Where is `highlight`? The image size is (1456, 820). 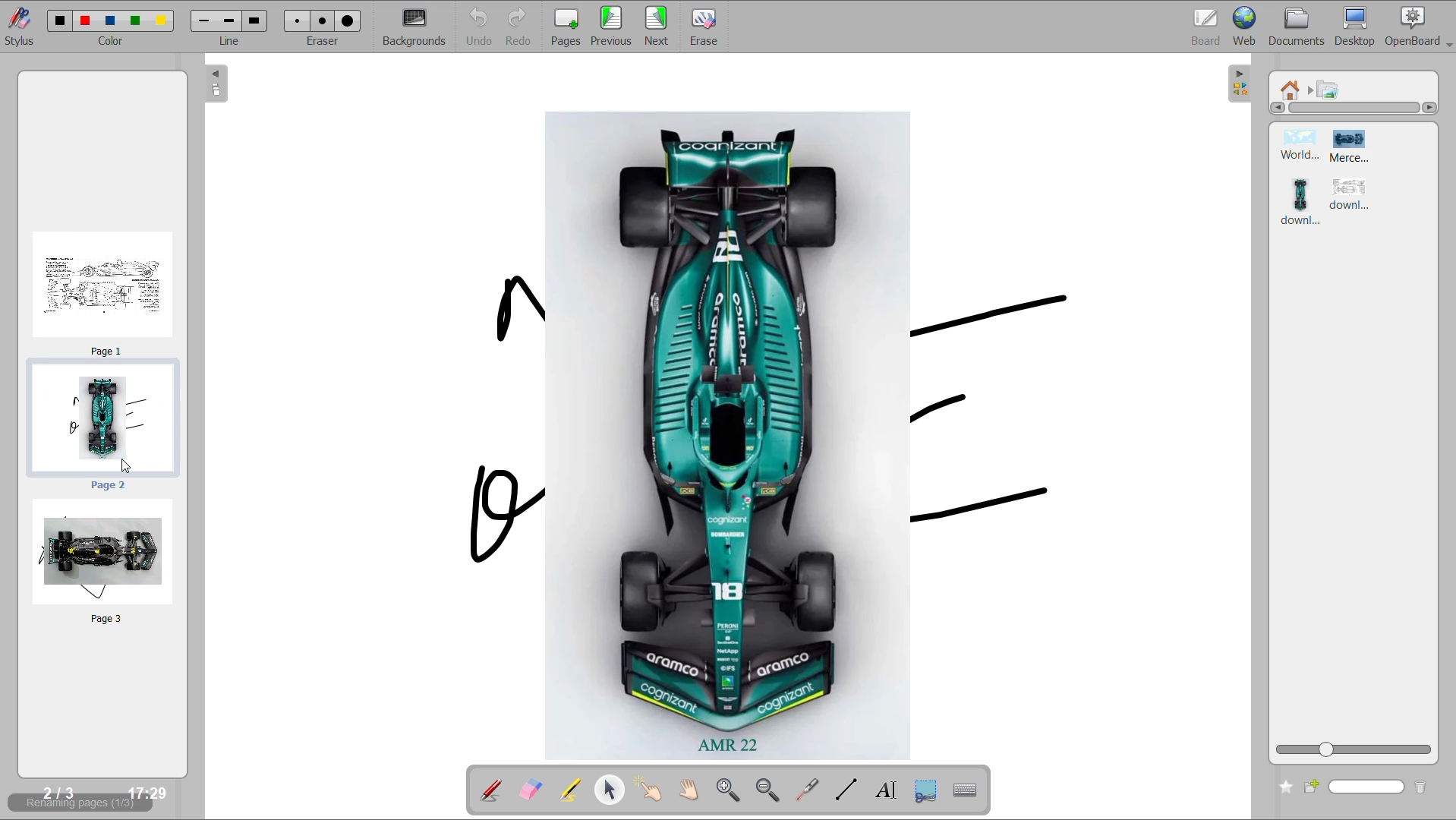
highlight is located at coordinates (567, 788).